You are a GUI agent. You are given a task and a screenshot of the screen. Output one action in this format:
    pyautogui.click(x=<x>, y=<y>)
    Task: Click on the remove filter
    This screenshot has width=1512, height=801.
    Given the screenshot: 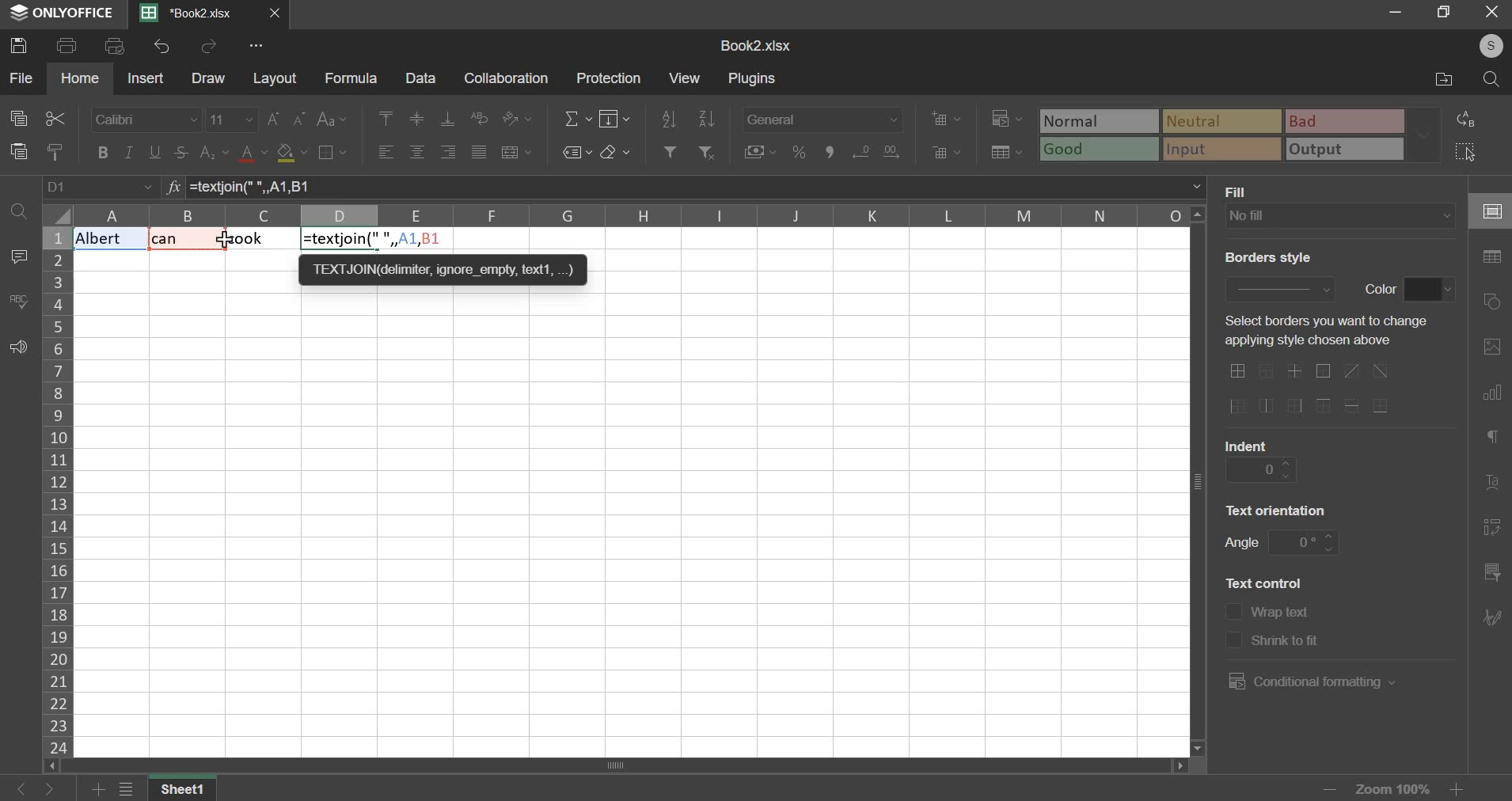 What is the action you would take?
    pyautogui.click(x=709, y=151)
    